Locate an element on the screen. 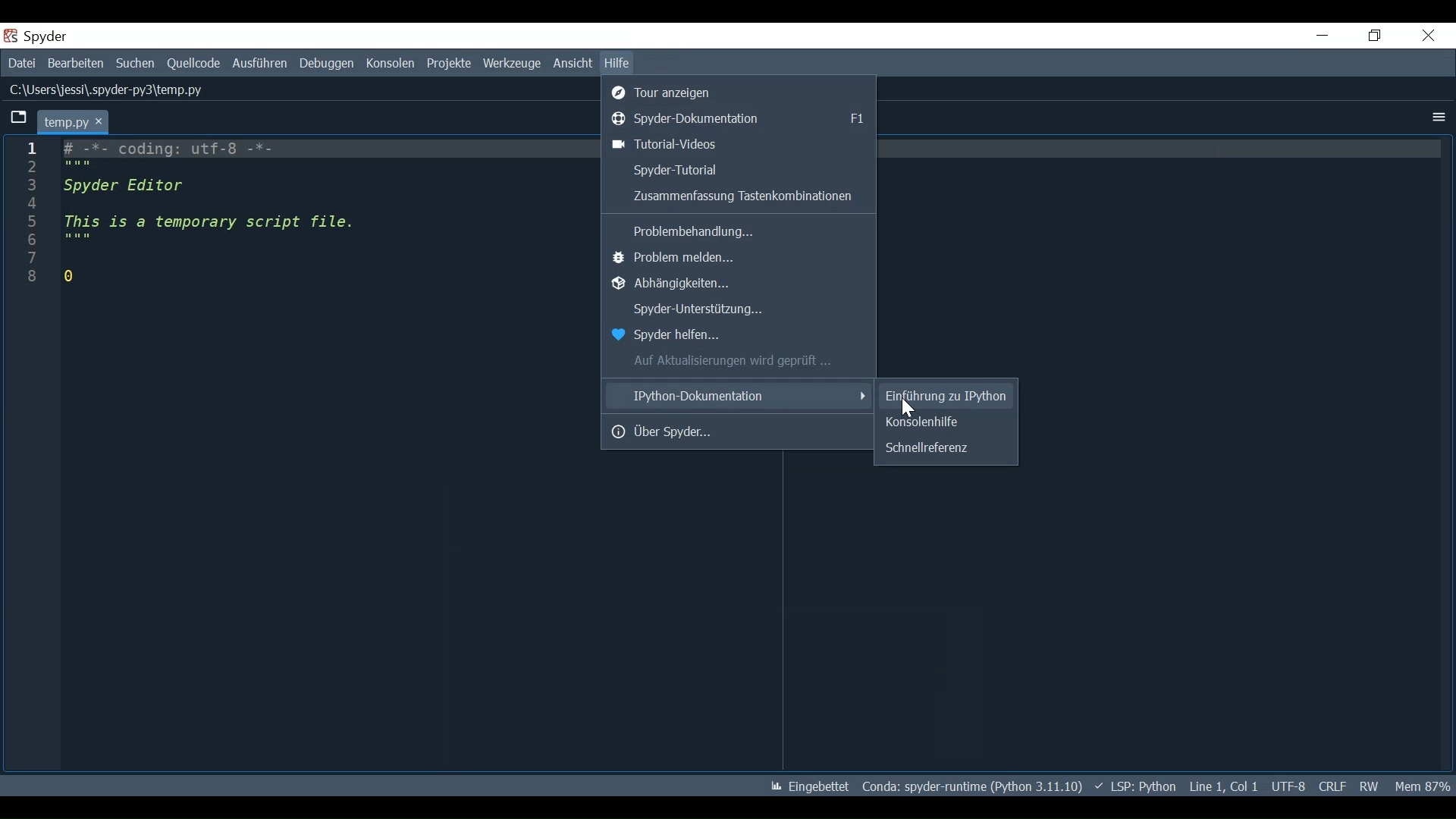  Spyder Tutorial is located at coordinates (736, 169).